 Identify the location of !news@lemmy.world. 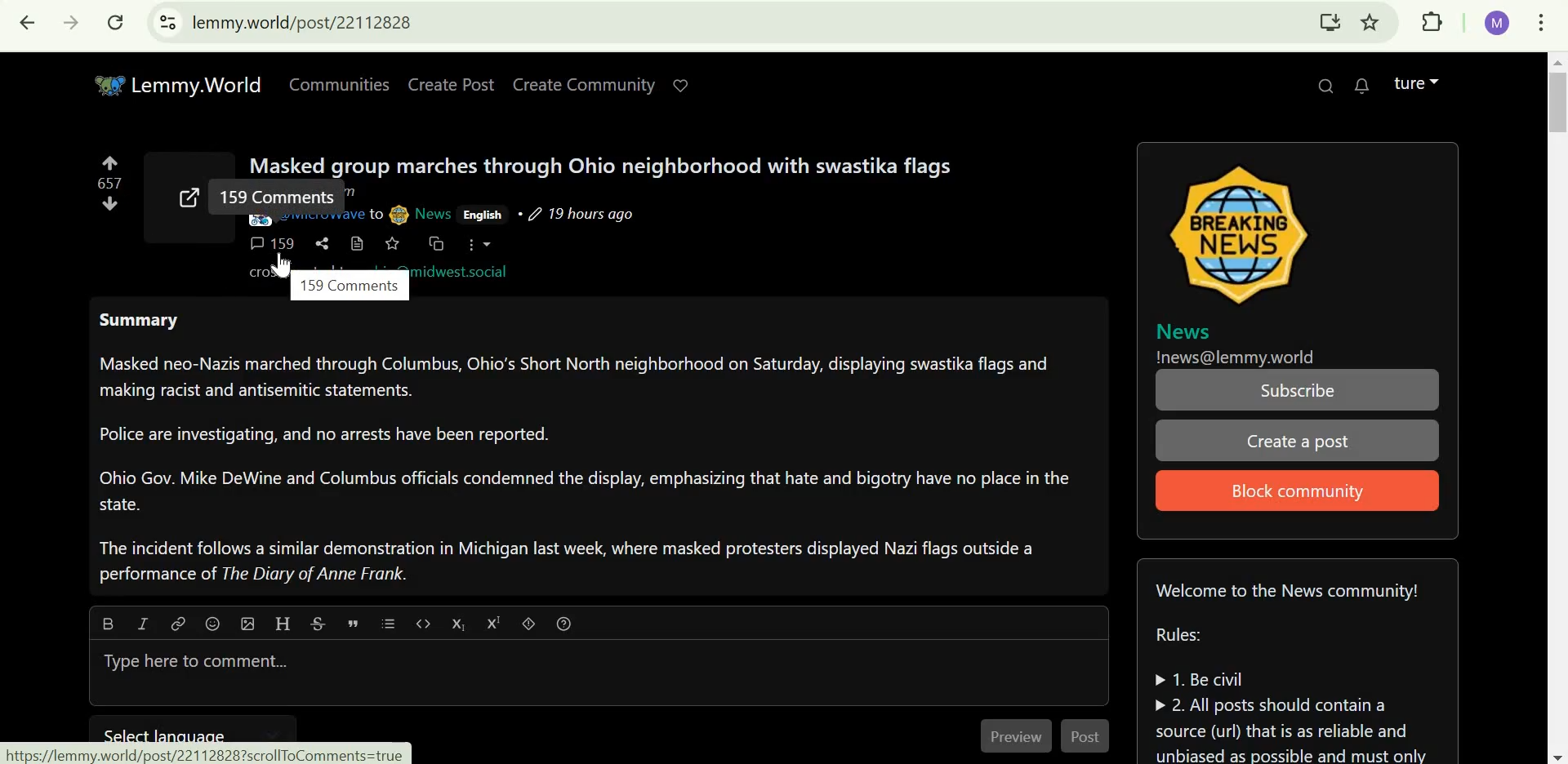
(1238, 358).